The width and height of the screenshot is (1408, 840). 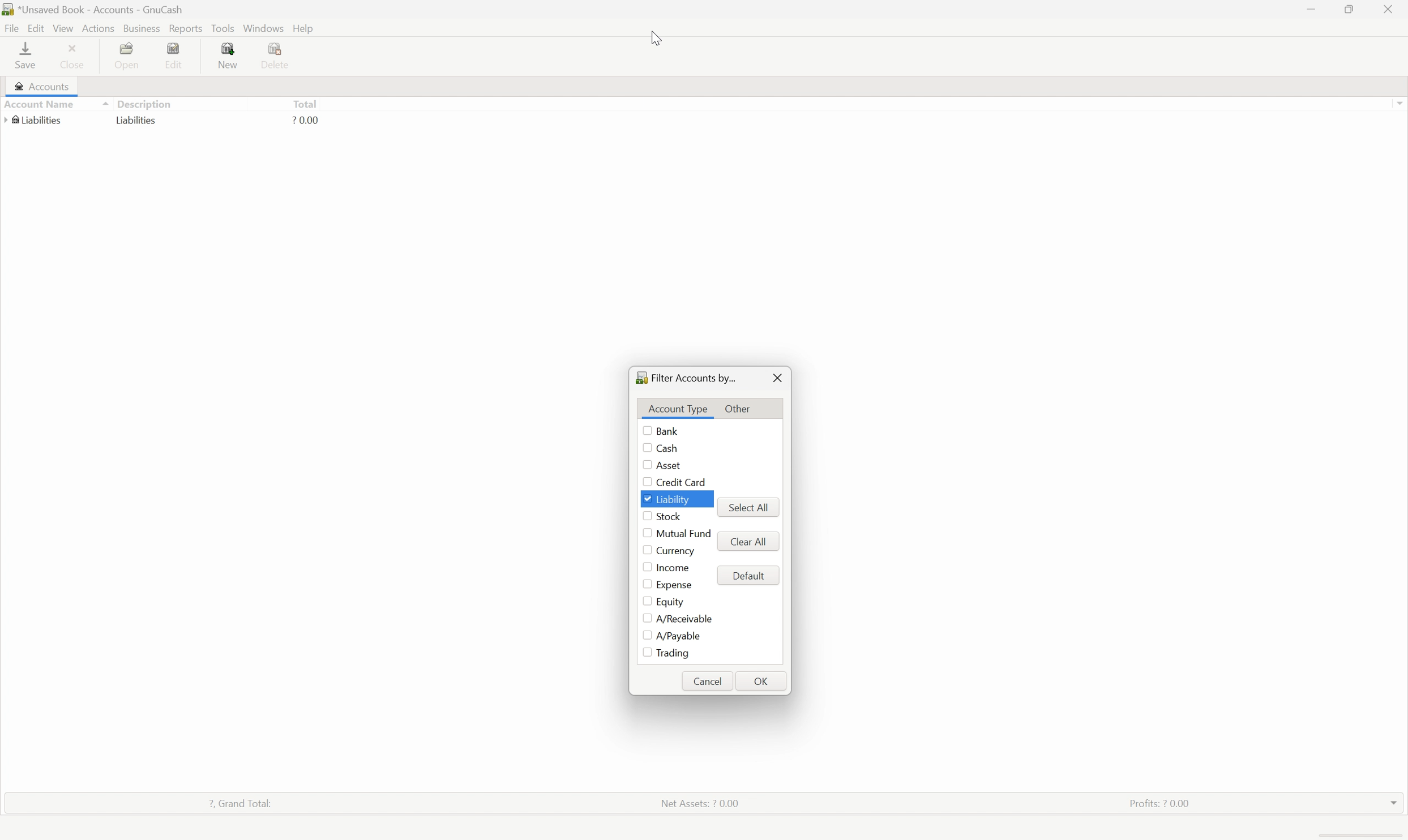 I want to click on Checkbox, so click(x=643, y=601).